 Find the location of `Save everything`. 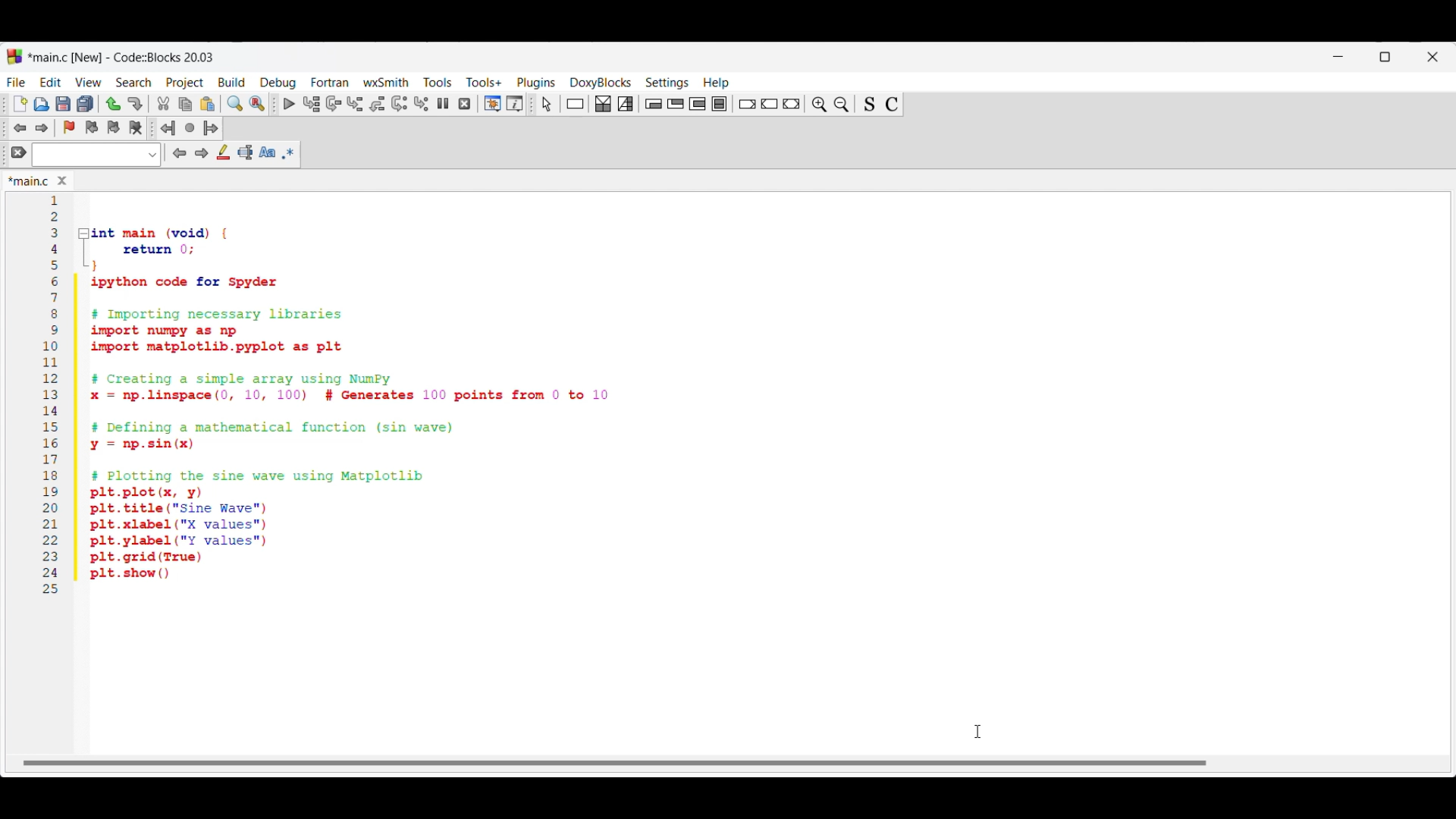

Save everything is located at coordinates (85, 103).